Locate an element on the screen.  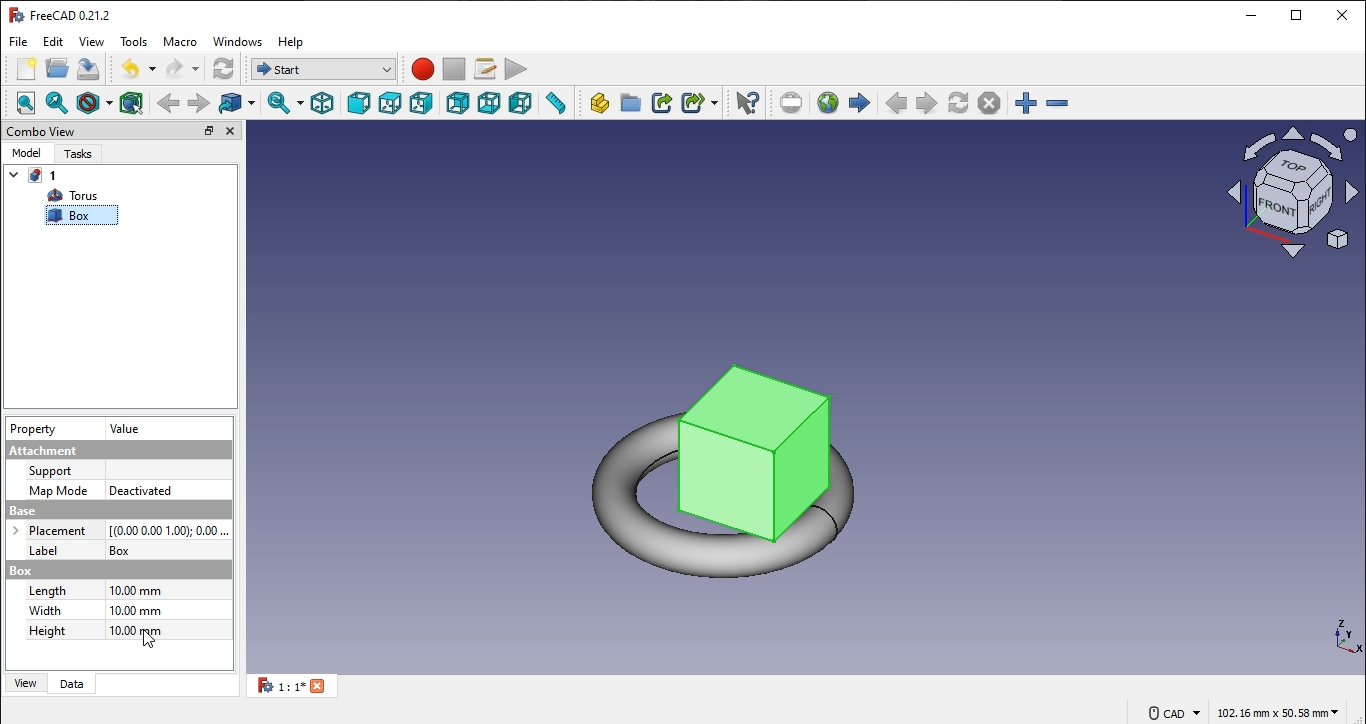
value is located at coordinates (126, 429).